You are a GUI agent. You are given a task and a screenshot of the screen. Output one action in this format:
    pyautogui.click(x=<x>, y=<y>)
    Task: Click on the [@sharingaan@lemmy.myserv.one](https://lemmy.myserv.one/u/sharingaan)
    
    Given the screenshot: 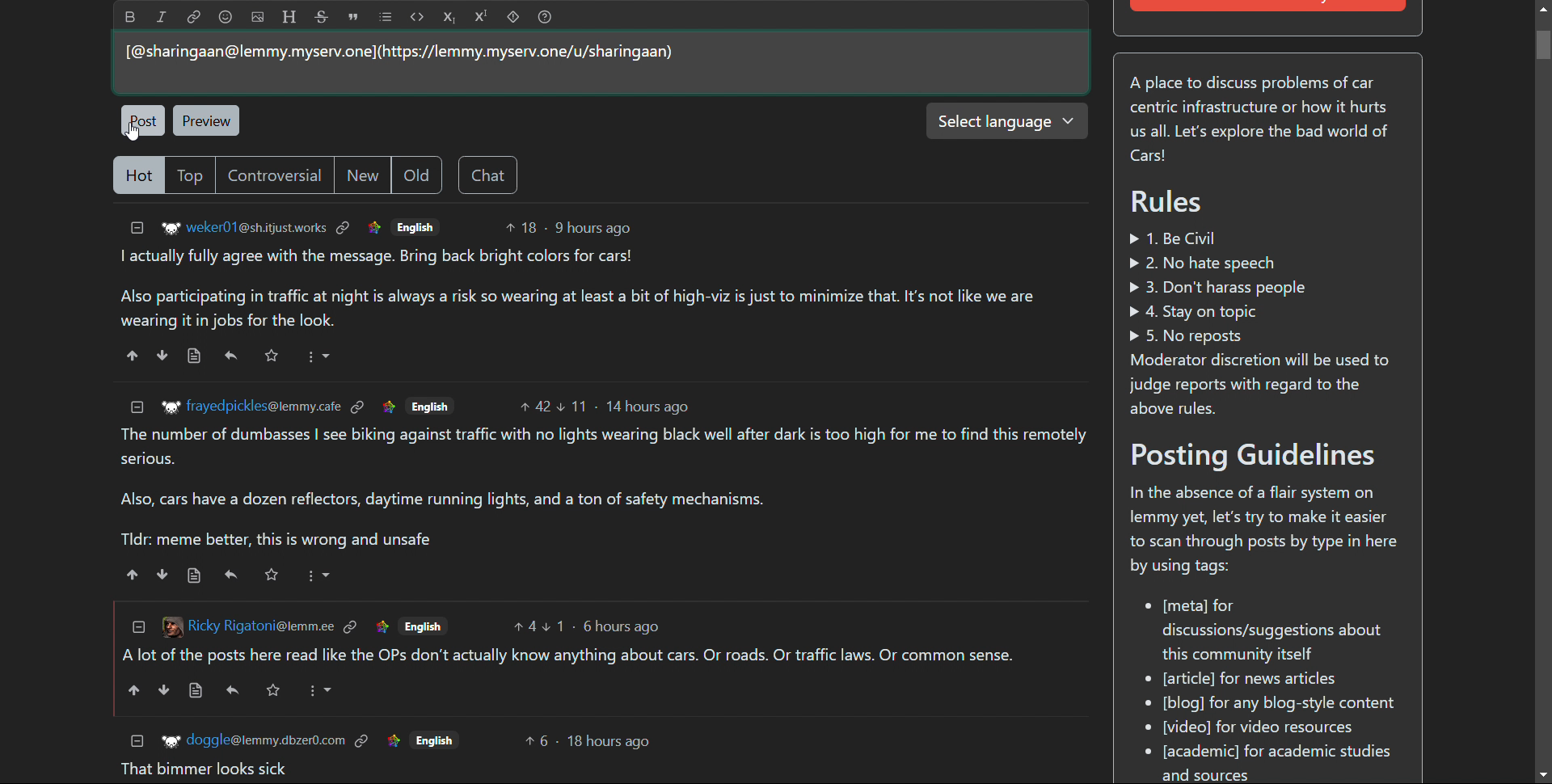 What is the action you would take?
    pyautogui.click(x=398, y=52)
    